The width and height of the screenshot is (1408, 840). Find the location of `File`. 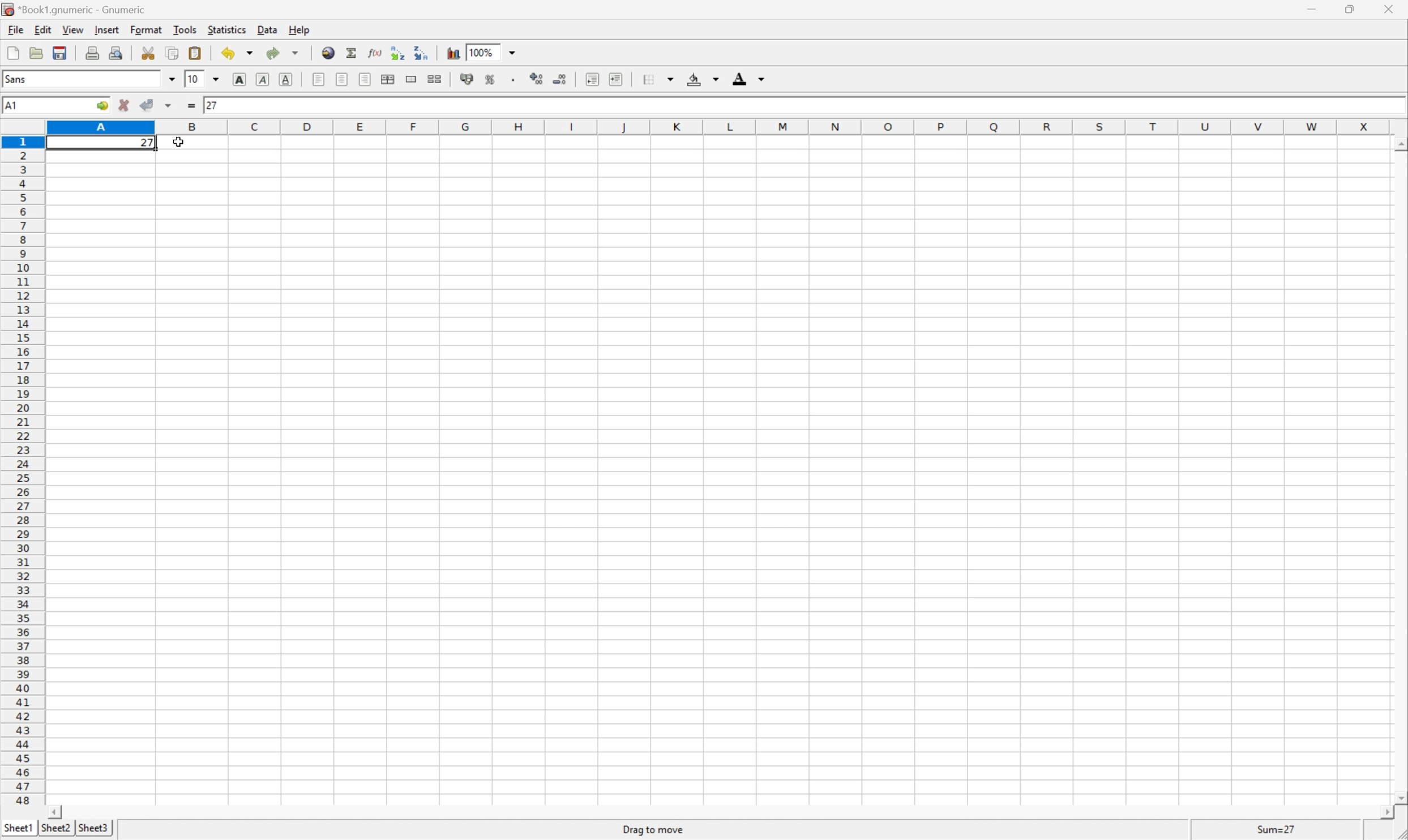

File is located at coordinates (15, 29).